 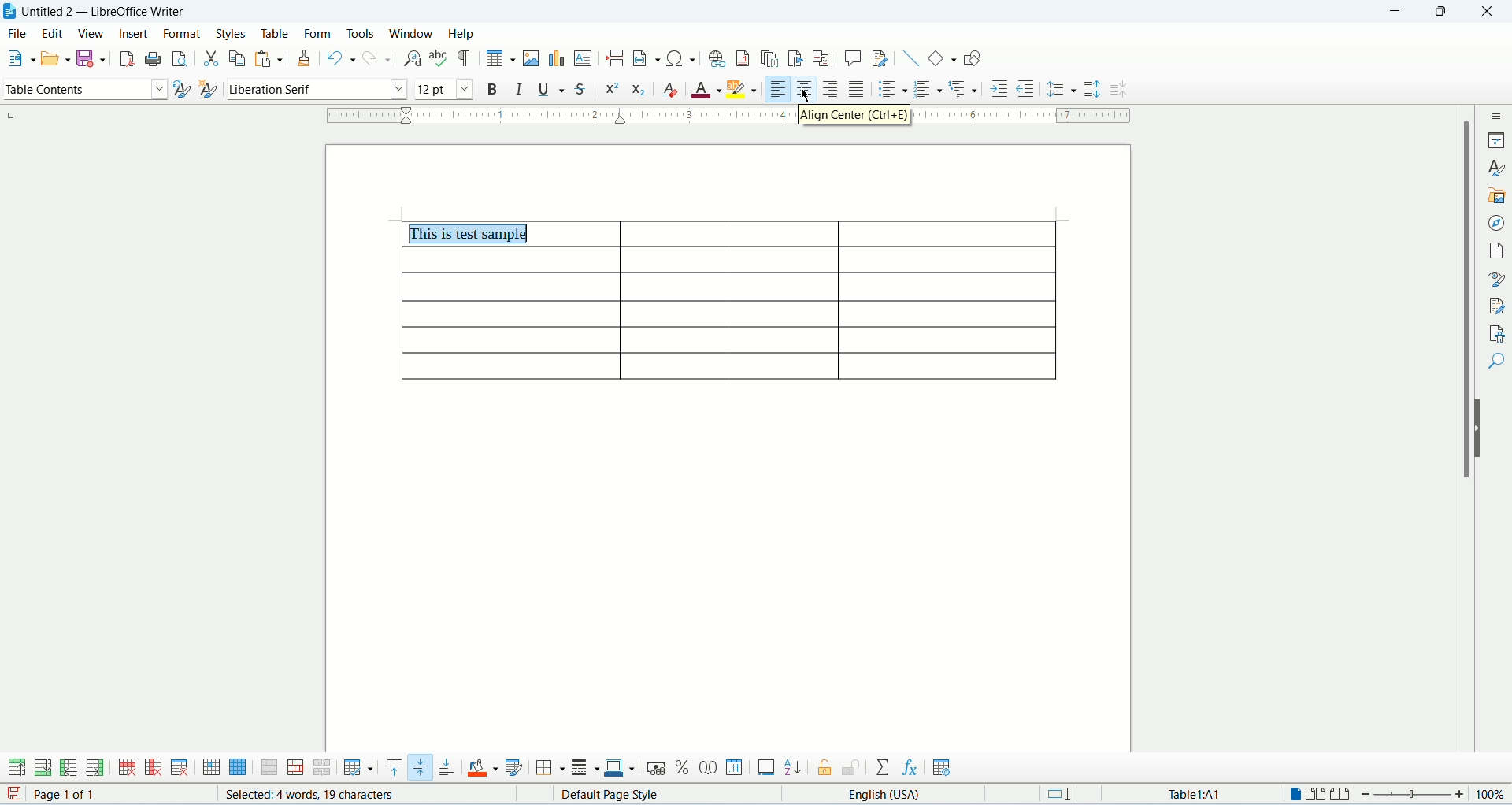 What do you see at coordinates (1498, 332) in the screenshot?
I see `accessibility check` at bounding box center [1498, 332].